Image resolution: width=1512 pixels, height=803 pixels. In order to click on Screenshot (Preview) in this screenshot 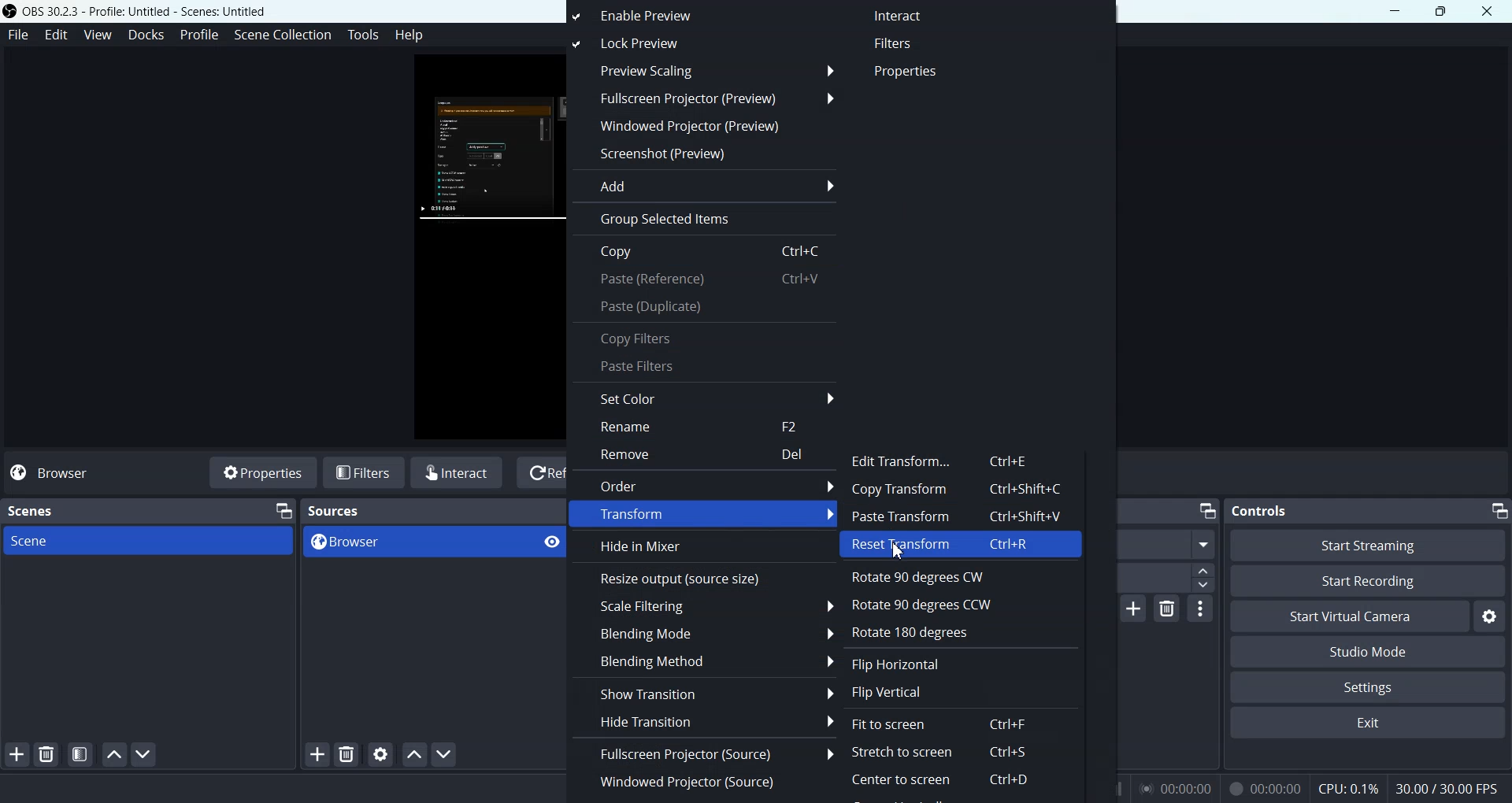, I will do `click(702, 154)`.